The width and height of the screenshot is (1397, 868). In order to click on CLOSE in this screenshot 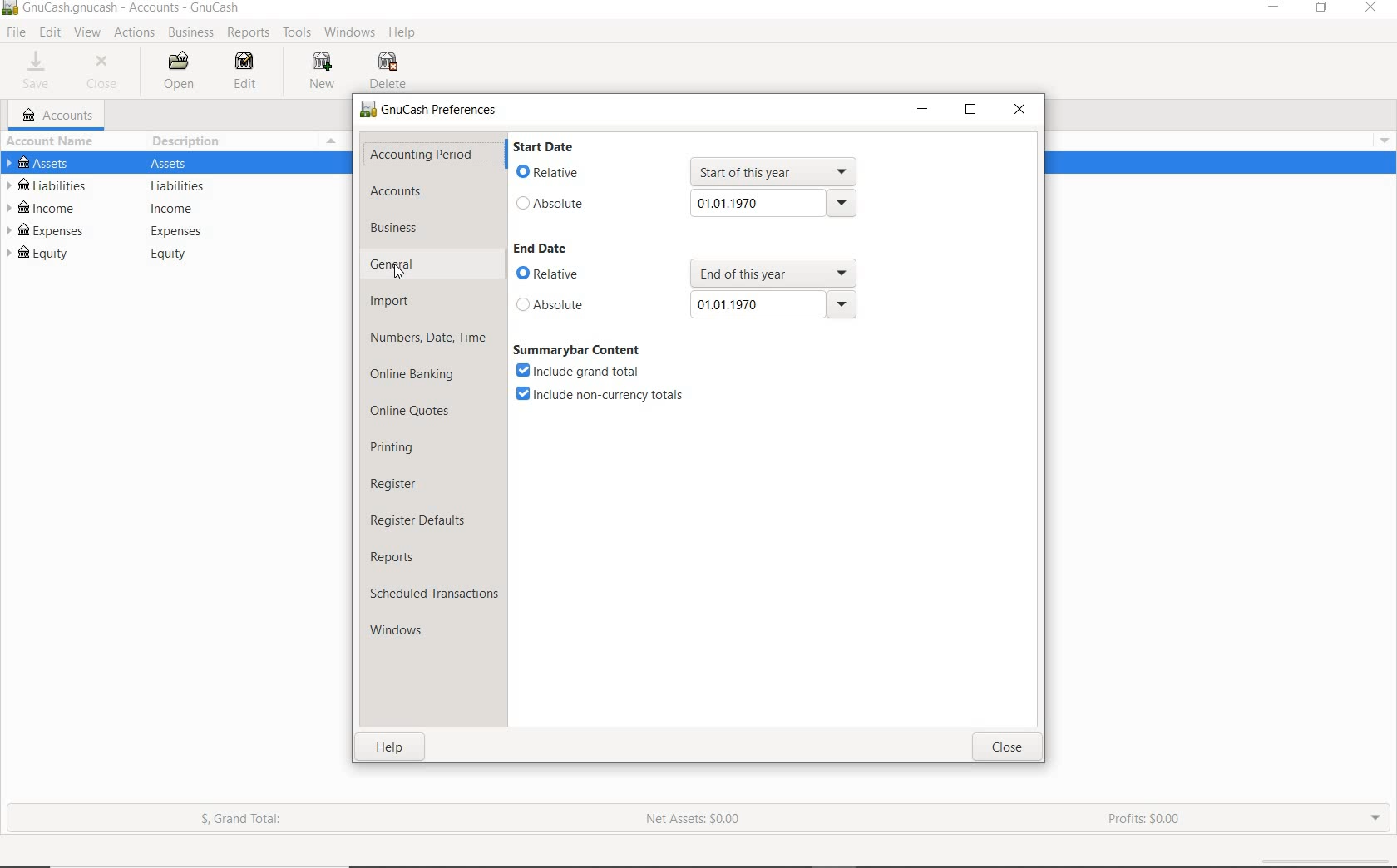, I will do `click(1373, 9)`.